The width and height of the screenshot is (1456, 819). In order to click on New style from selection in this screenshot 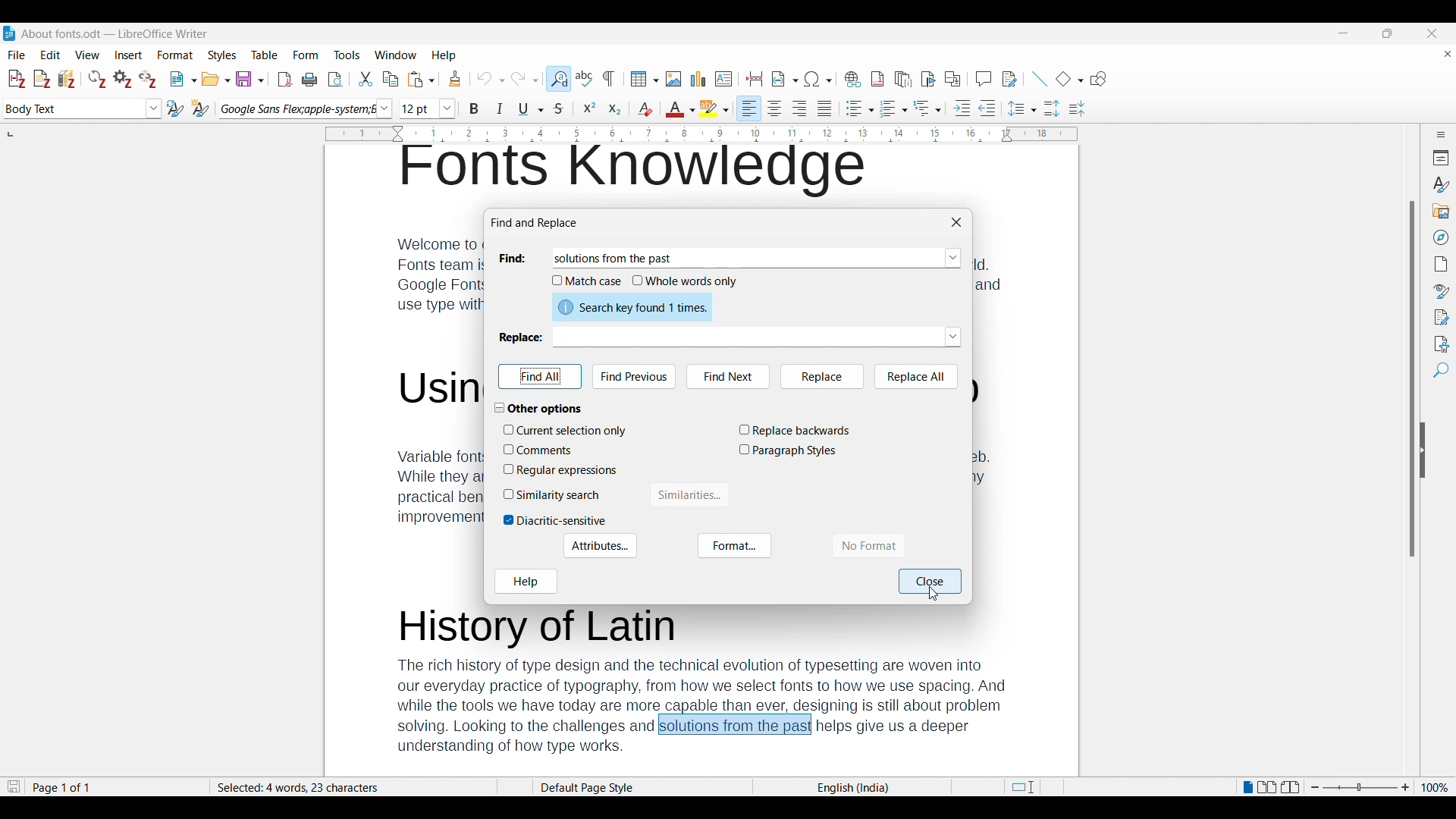, I will do `click(201, 108)`.